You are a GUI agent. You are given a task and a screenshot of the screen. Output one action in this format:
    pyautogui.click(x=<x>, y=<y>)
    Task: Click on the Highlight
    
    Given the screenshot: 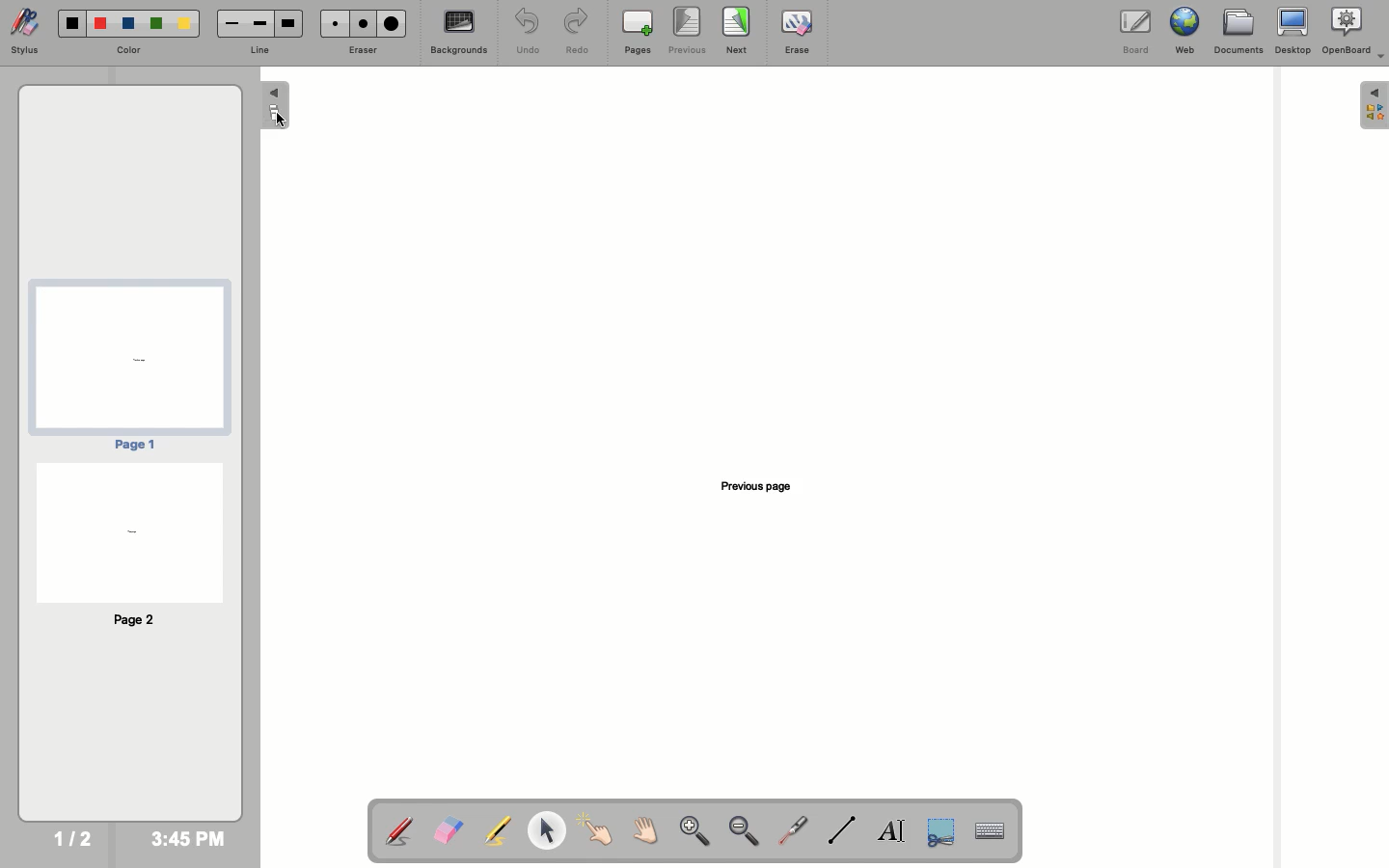 What is the action you would take?
    pyautogui.click(x=494, y=830)
    